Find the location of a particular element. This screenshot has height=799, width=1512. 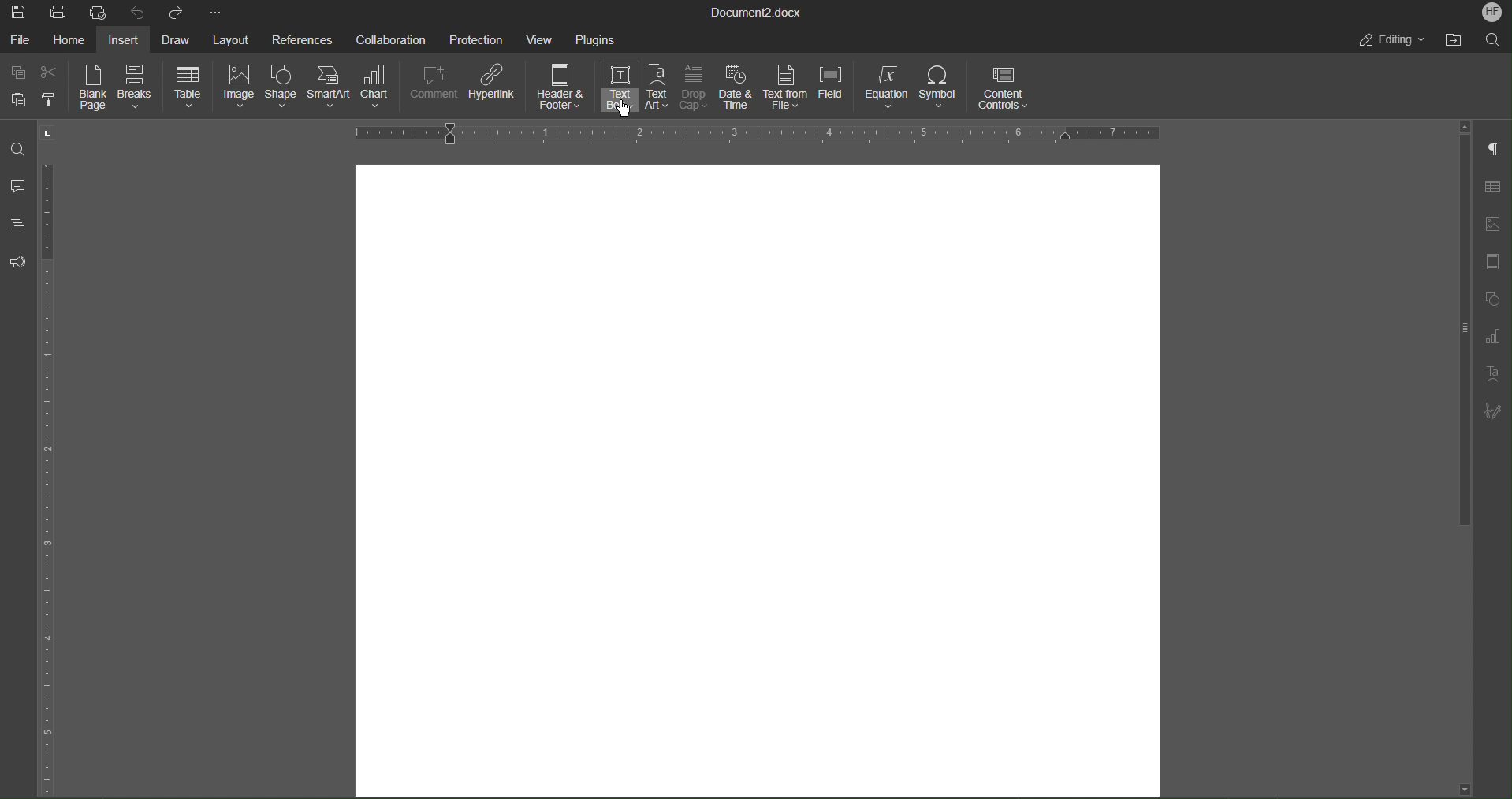

Account is located at coordinates (1492, 13).